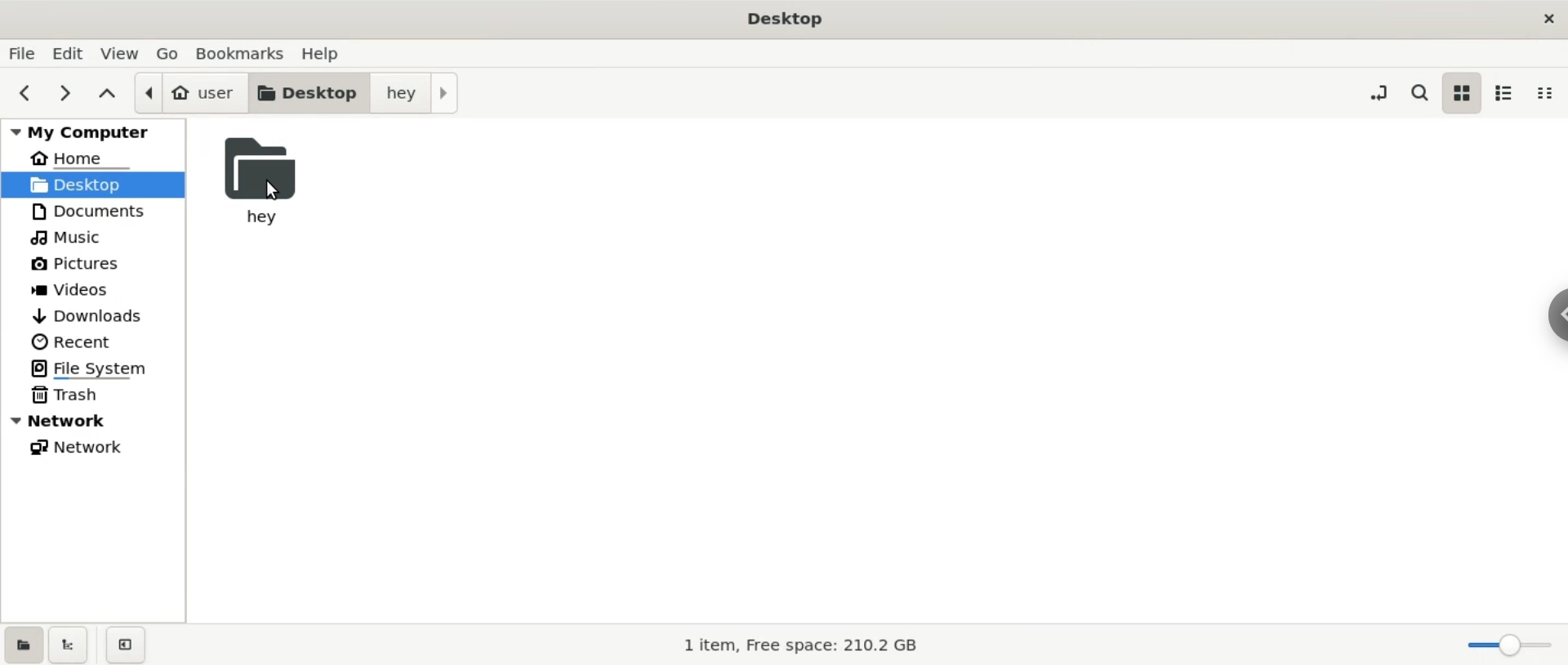 This screenshot has width=1568, height=665. I want to click on edit, so click(69, 53).